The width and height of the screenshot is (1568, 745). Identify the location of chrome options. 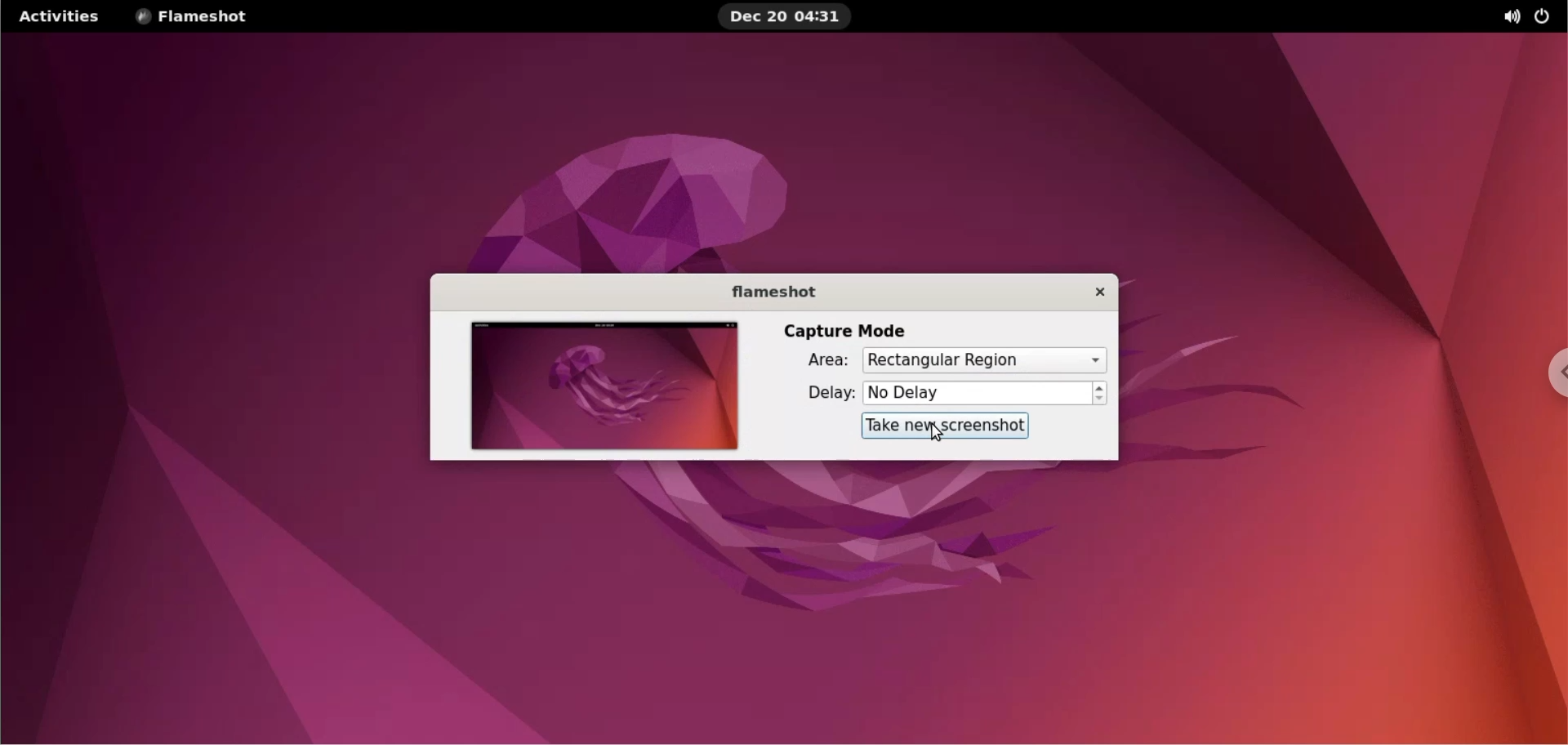
(1555, 373).